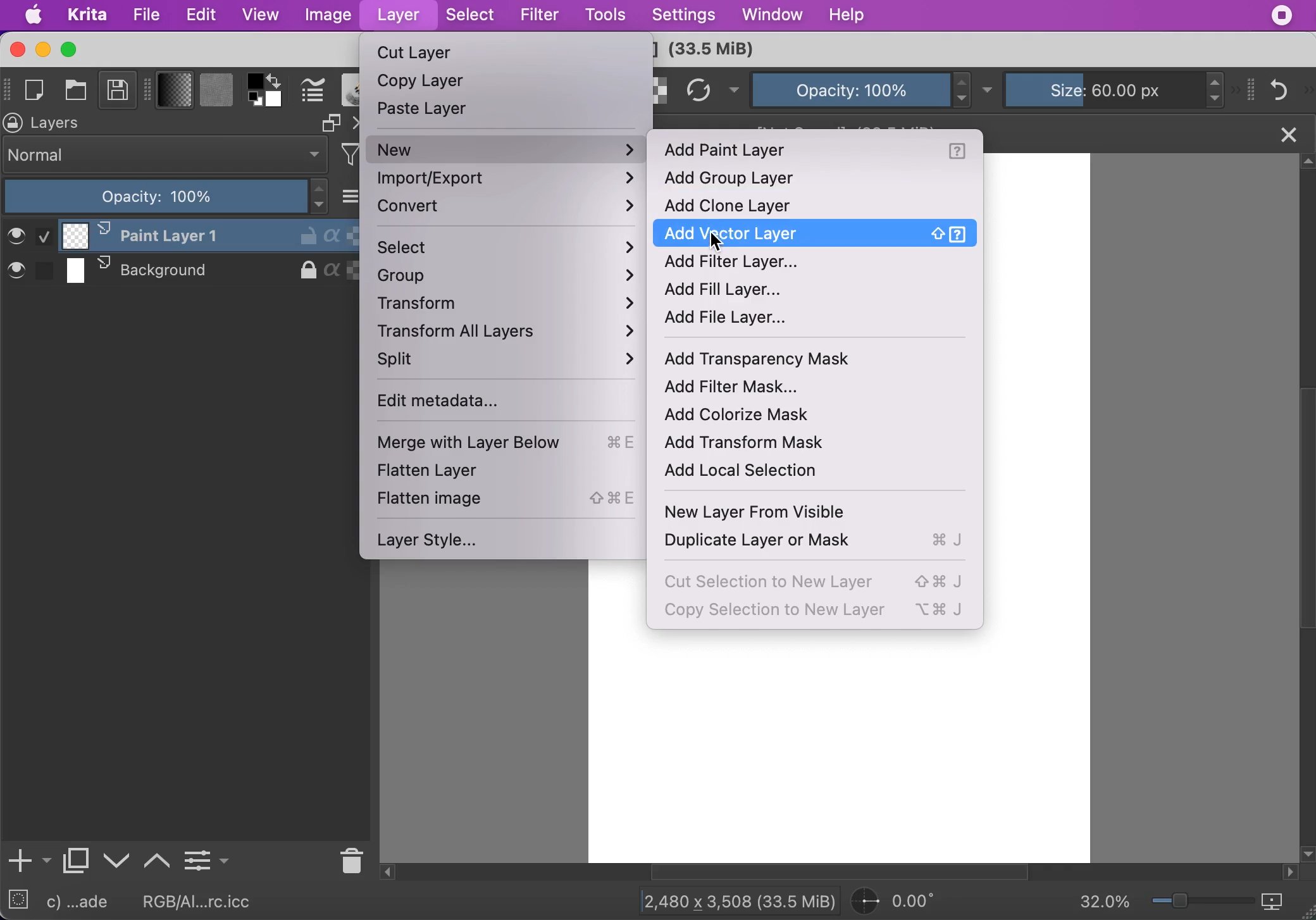 The height and width of the screenshot is (920, 1316). What do you see at coordinates (16, 49) in the screenshot?
I see `close` at bounding box center [16, 49].